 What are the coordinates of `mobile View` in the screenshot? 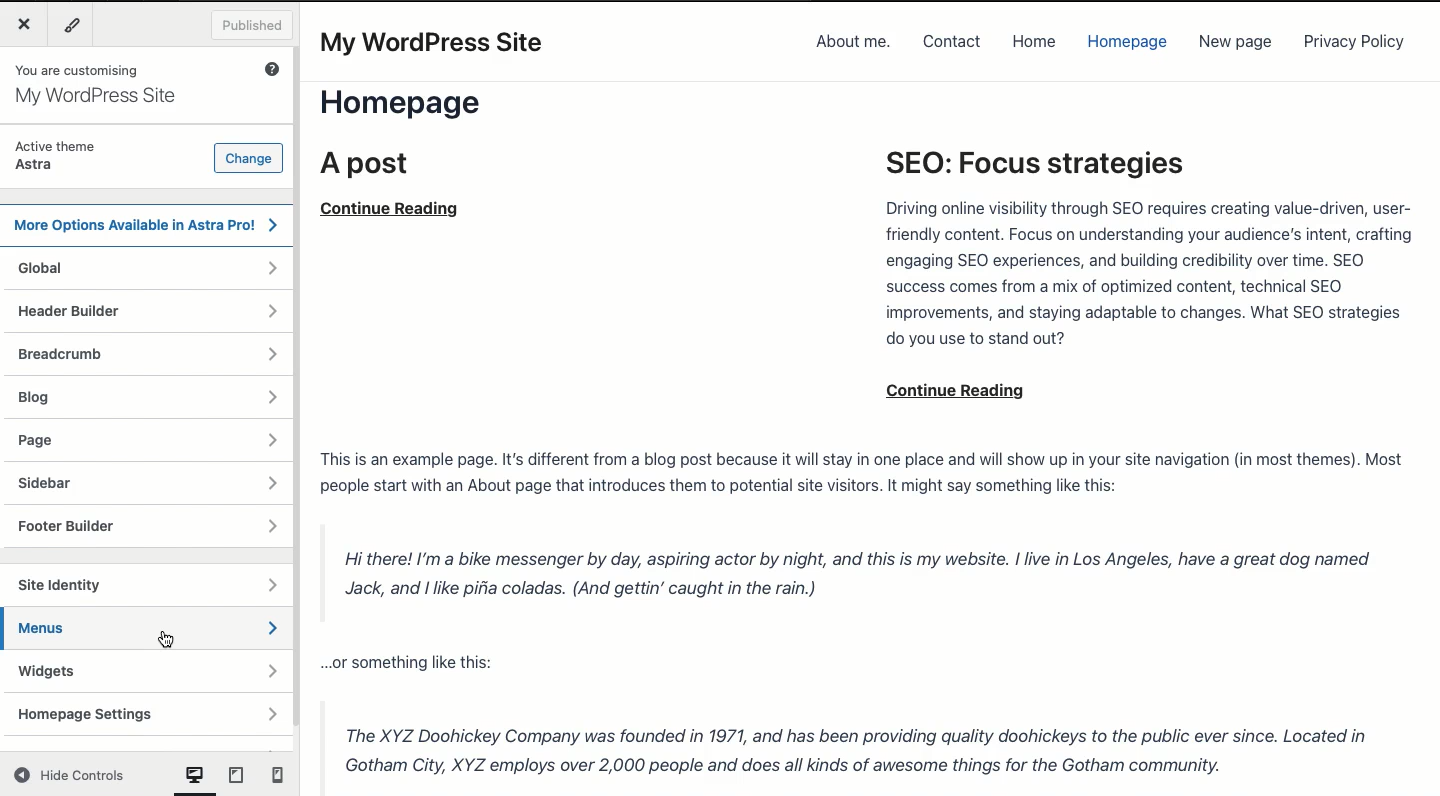 It's located at (273, 777).